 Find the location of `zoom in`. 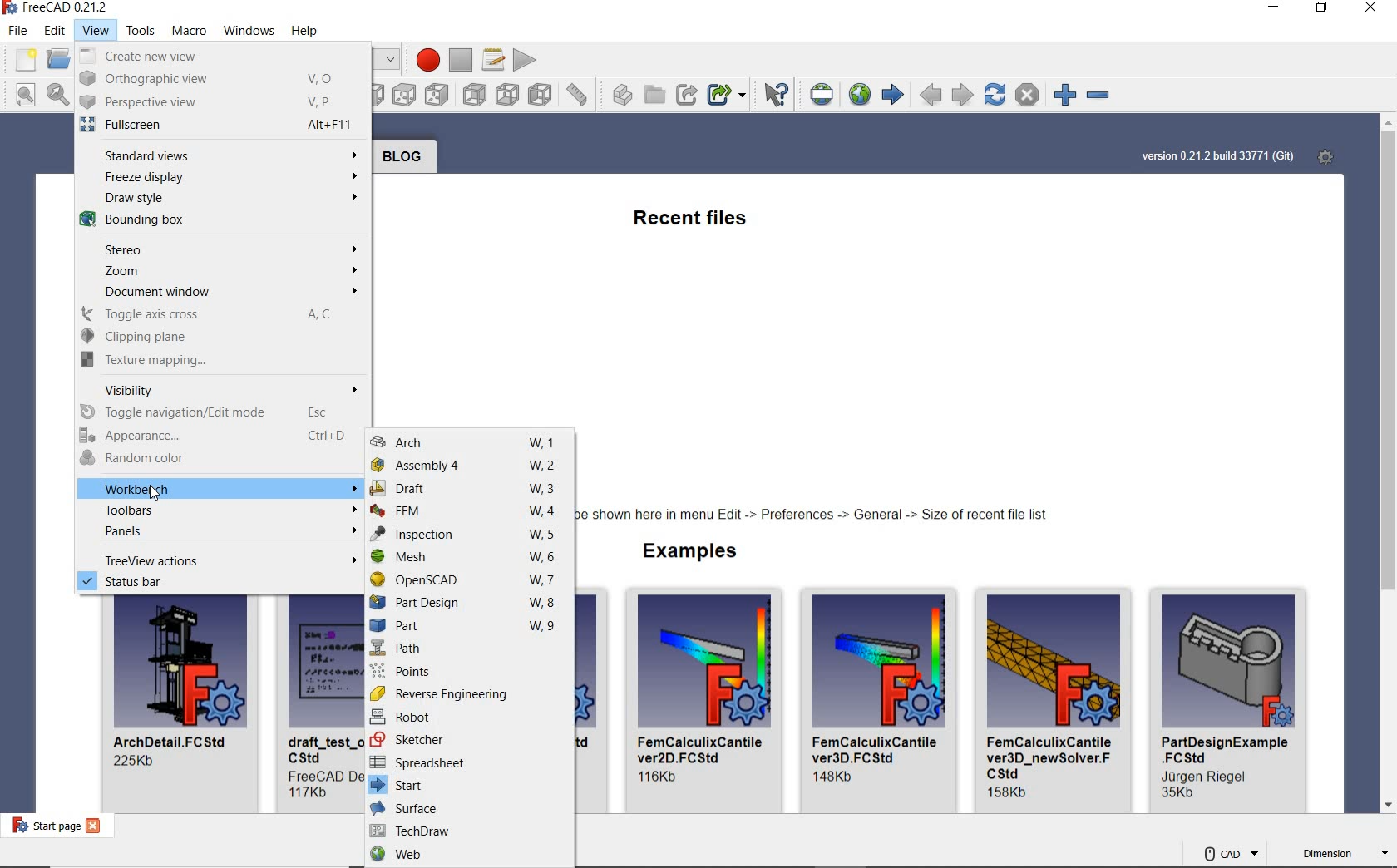

zoom in is located at coordinates (1067, 95).